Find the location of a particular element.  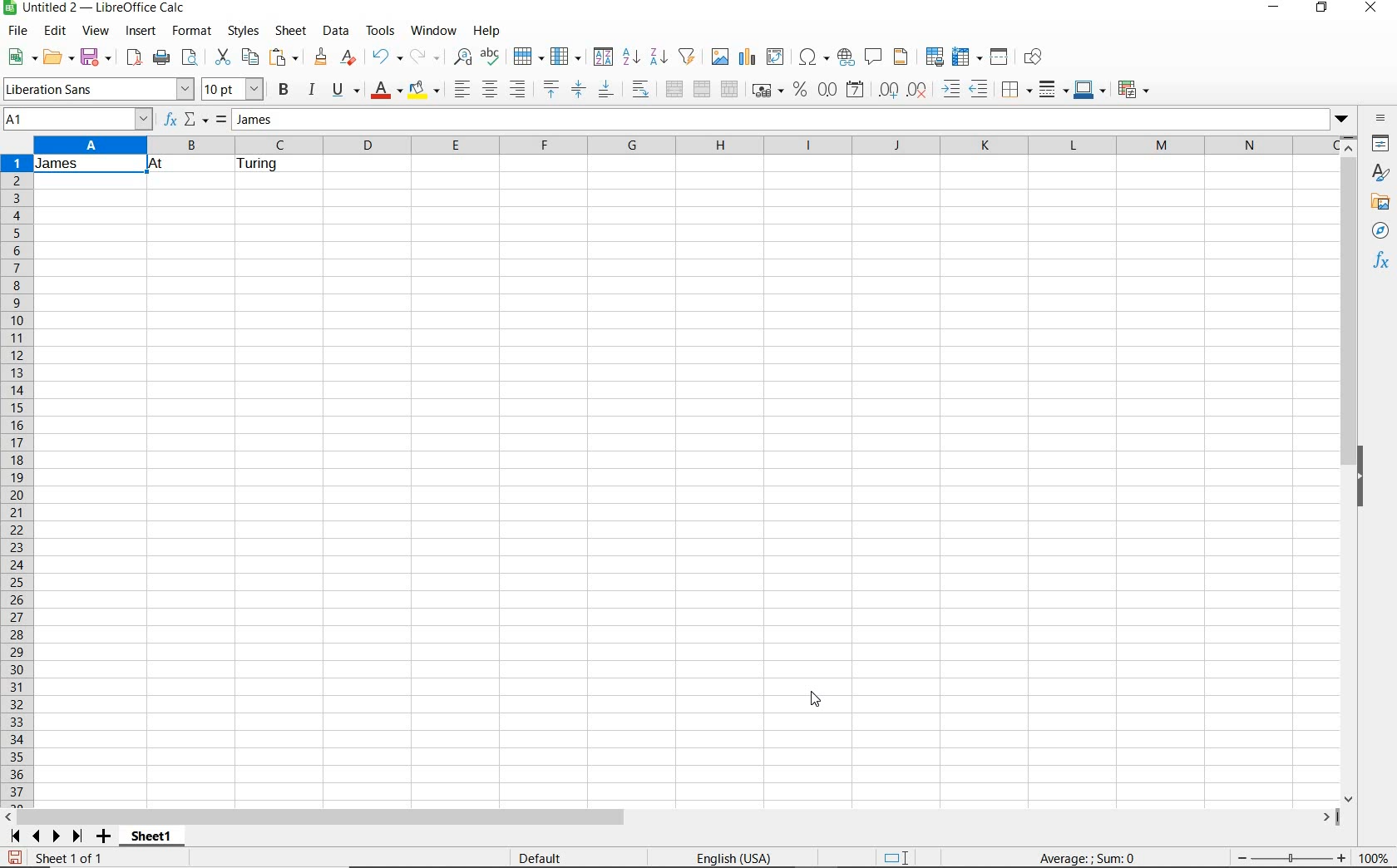

new is located at coordinates (21, 57).